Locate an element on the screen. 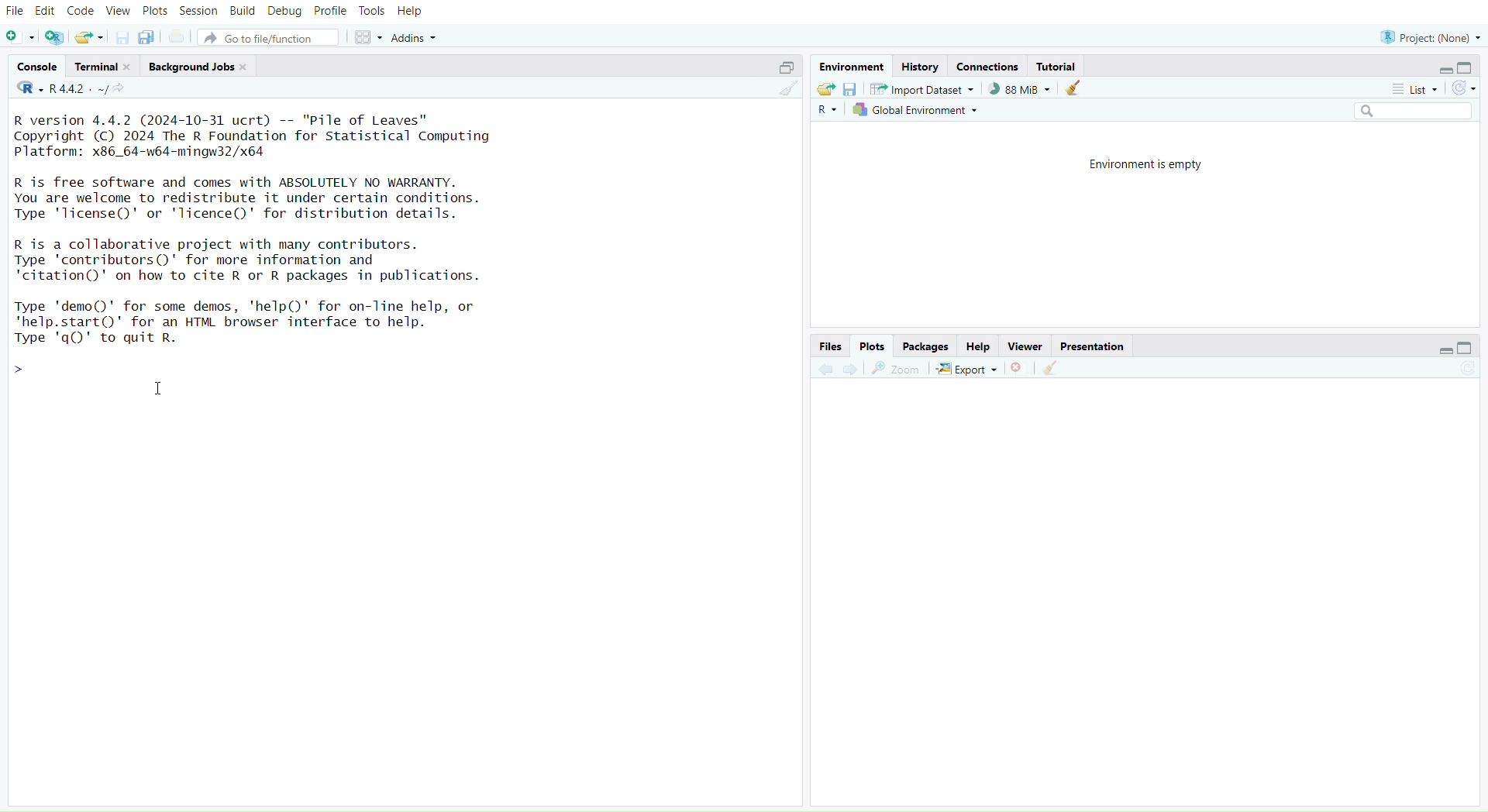 This screenshot has height=812, width=1488. save workspace is located at coordinates (849, 90).